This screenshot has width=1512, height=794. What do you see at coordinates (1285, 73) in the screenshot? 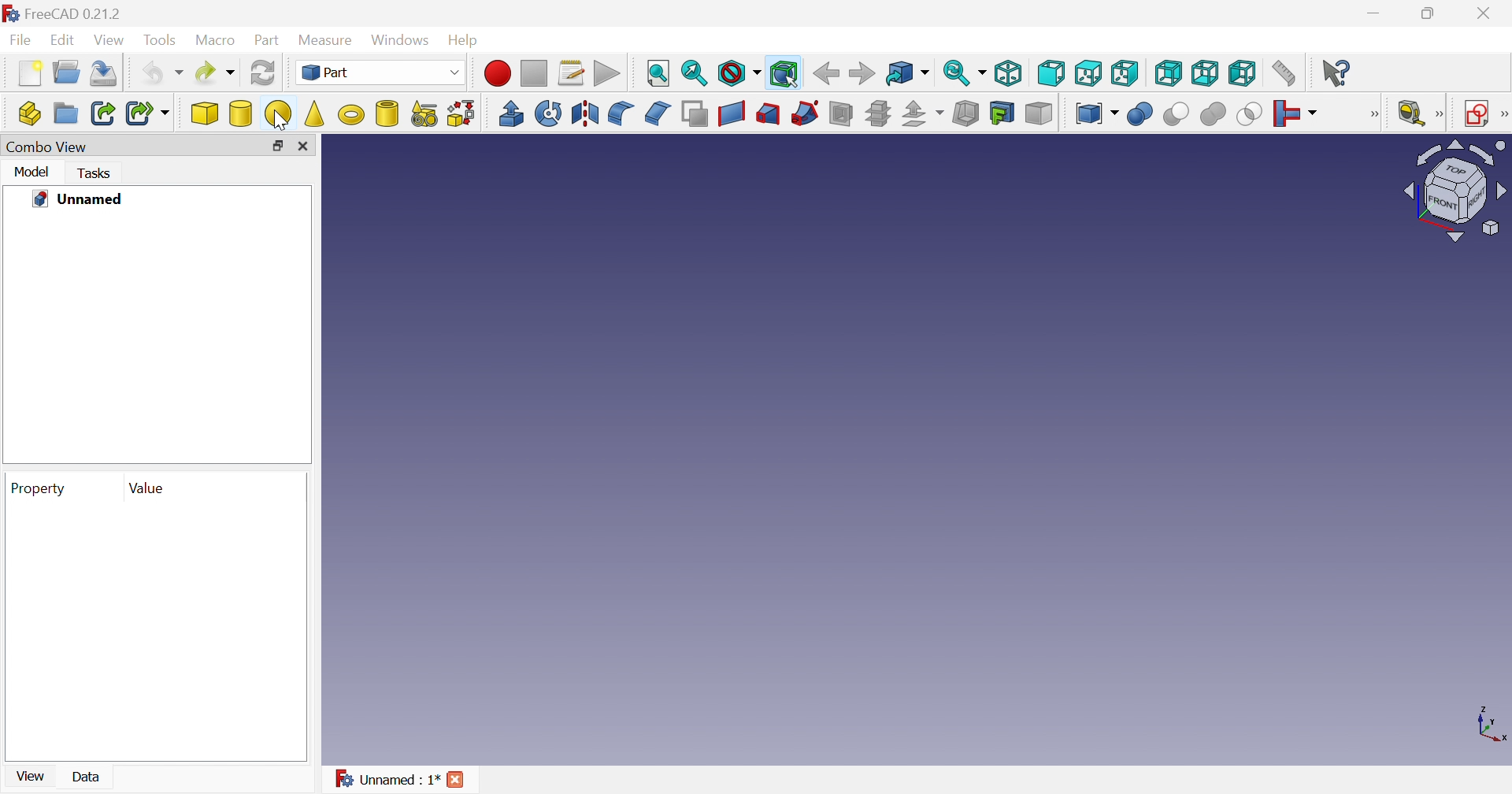
I see `Measure distance` at bounding box center [1285, 73].